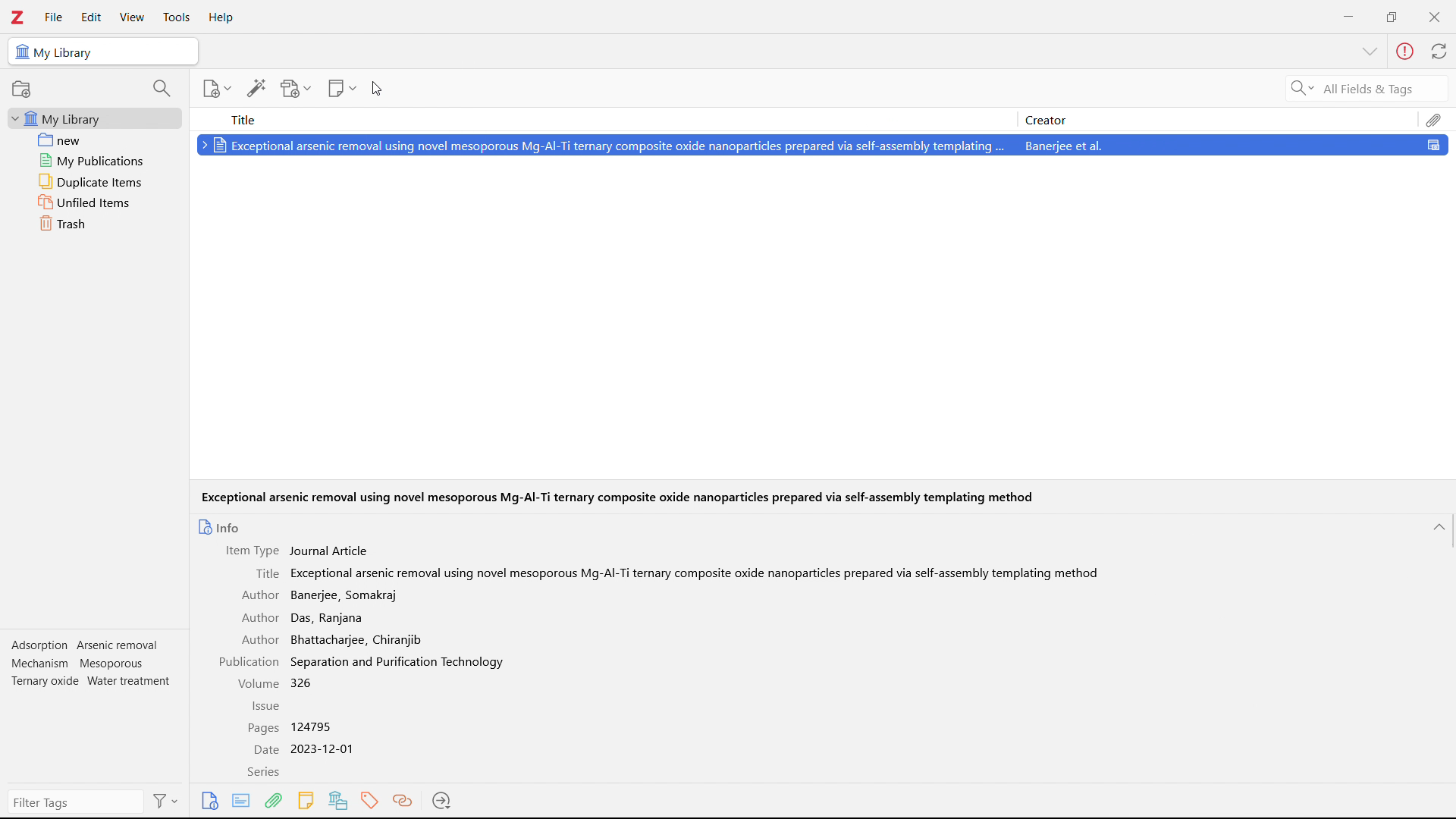 Image resolution: width=1456 pixels, height=819 pixels. I want to click on close, so click(1433, 16).